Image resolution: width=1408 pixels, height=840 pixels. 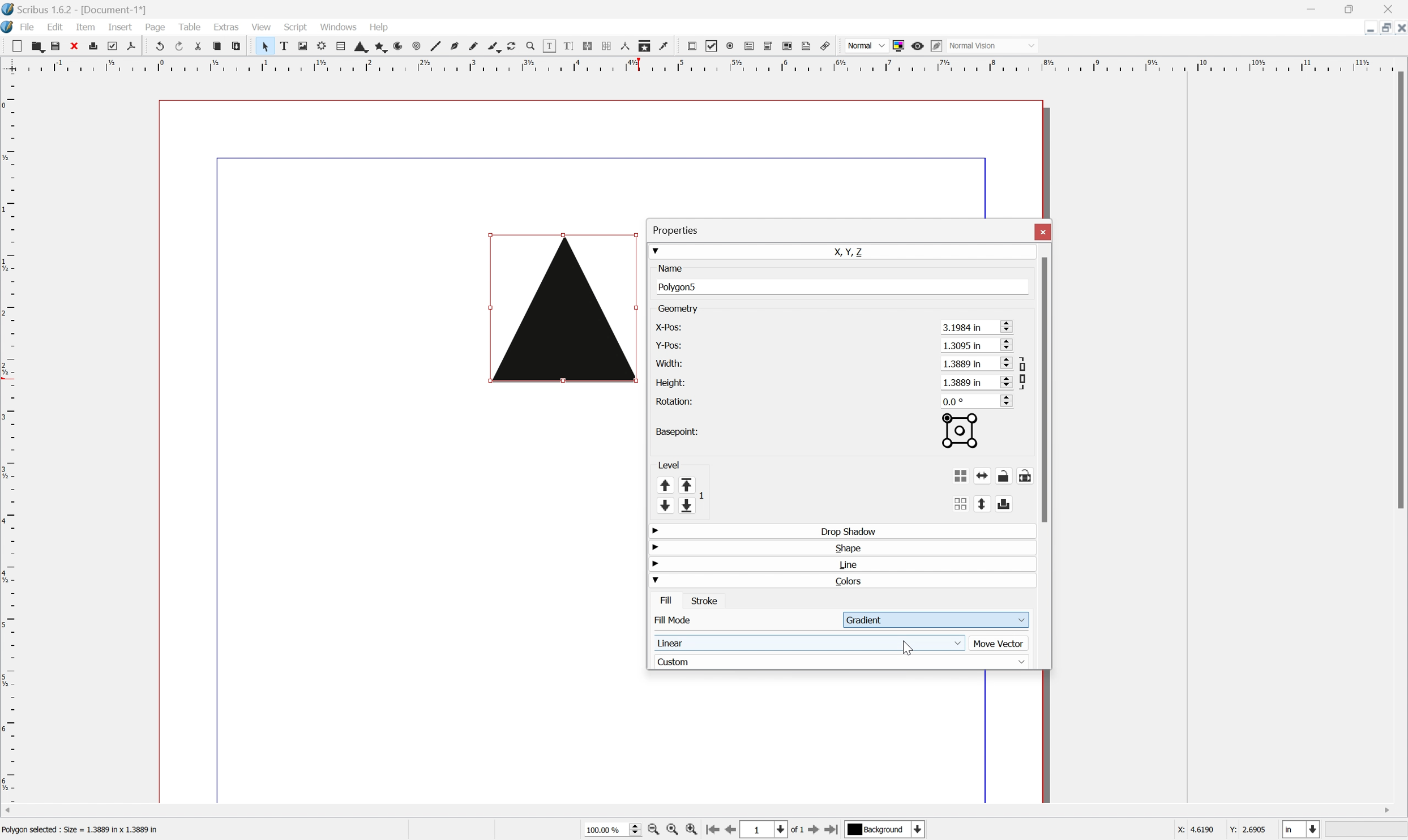 I want to click on Select current unit, so click(x=1303, y=829).